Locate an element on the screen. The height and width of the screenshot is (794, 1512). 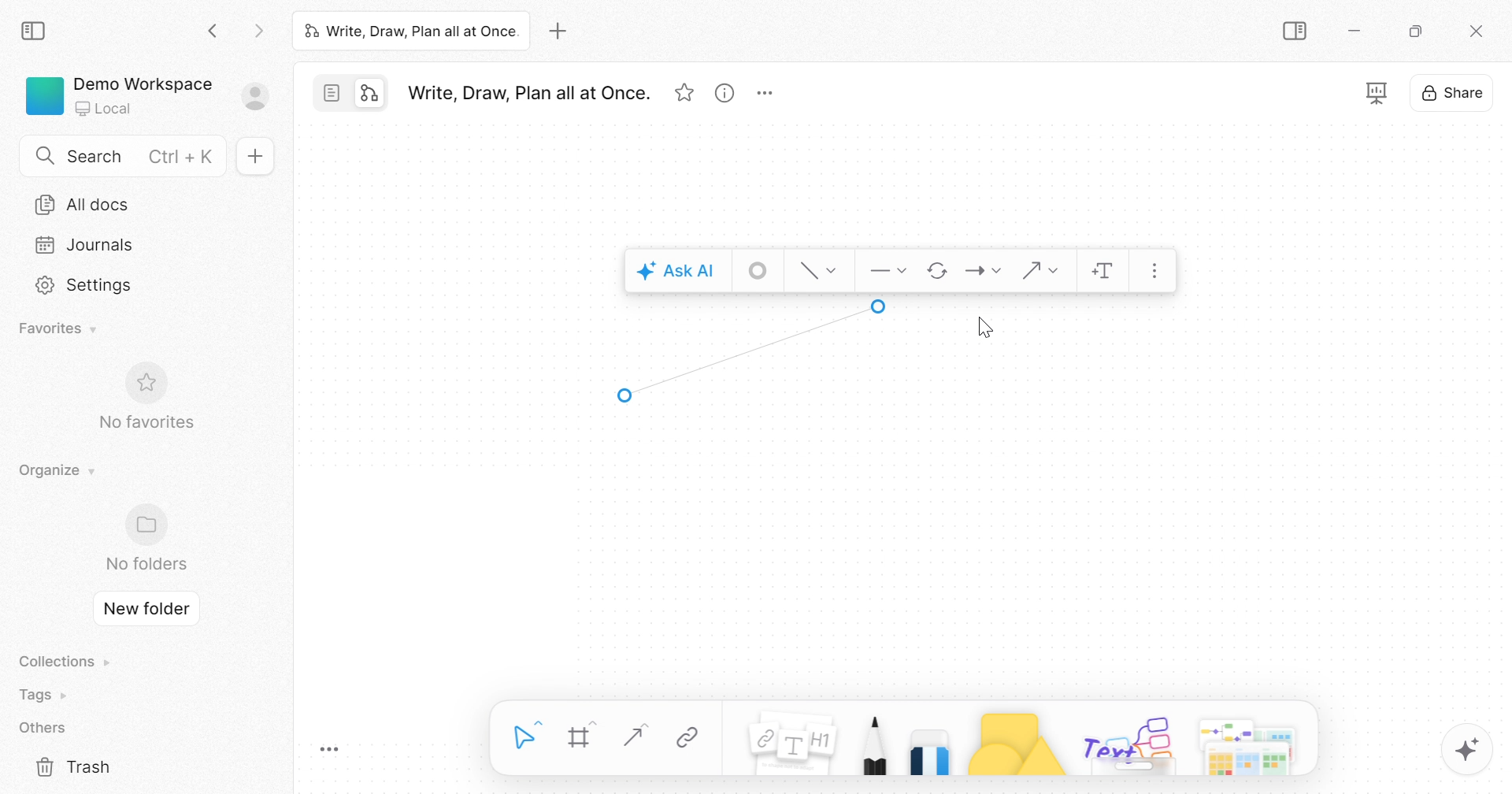
View info is located at coordinates (724, 96).